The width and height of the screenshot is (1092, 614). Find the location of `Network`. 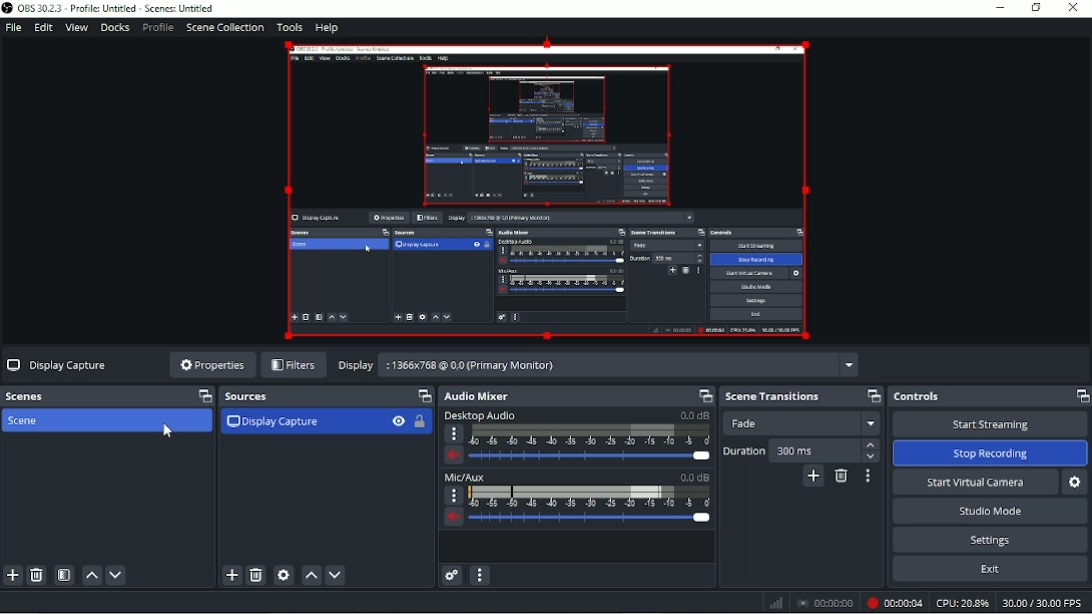

Network is located at coordinates (776, 604).